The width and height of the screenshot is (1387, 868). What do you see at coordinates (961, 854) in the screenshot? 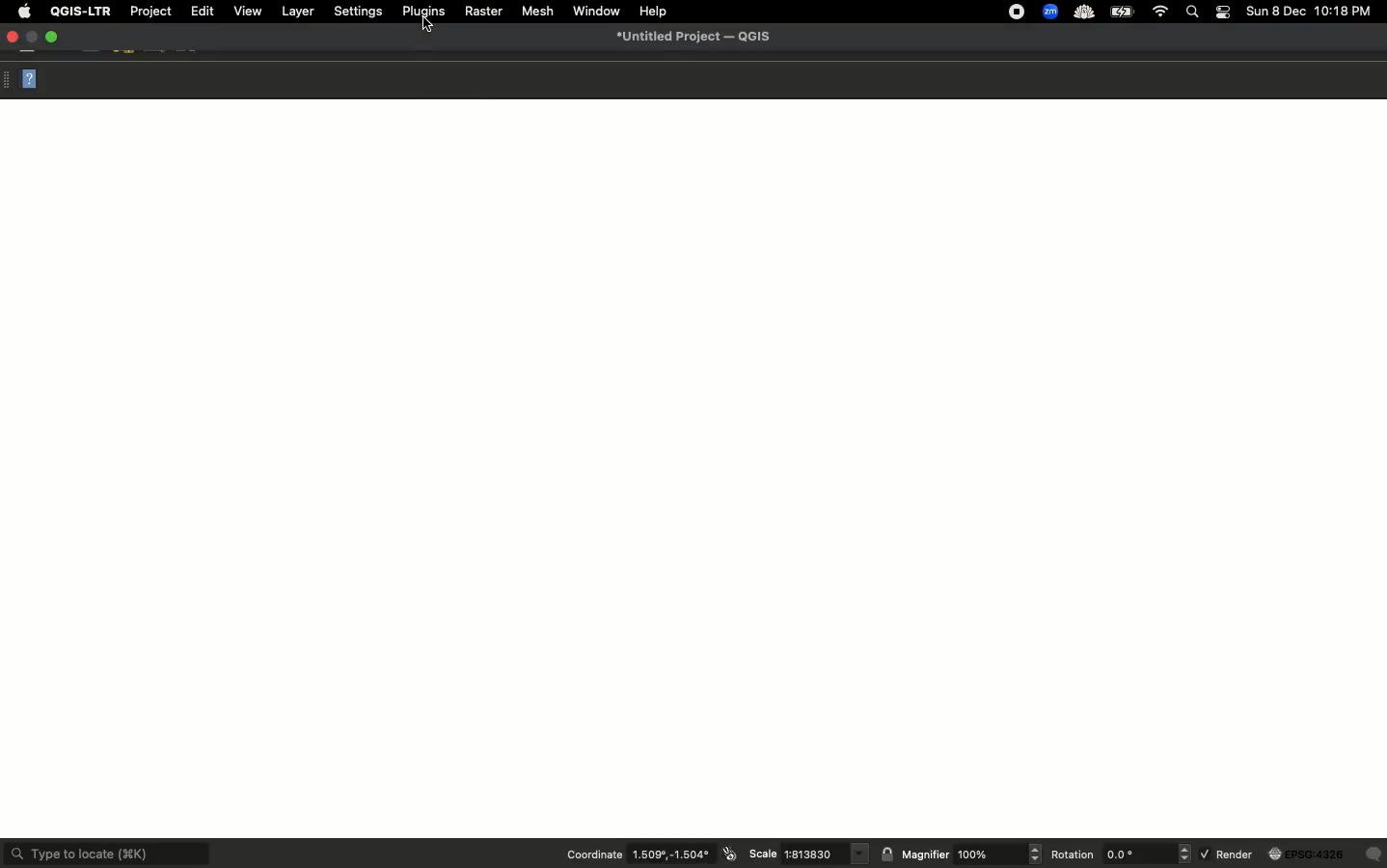
I see `Magnifier` at bounding box center [961, 854].